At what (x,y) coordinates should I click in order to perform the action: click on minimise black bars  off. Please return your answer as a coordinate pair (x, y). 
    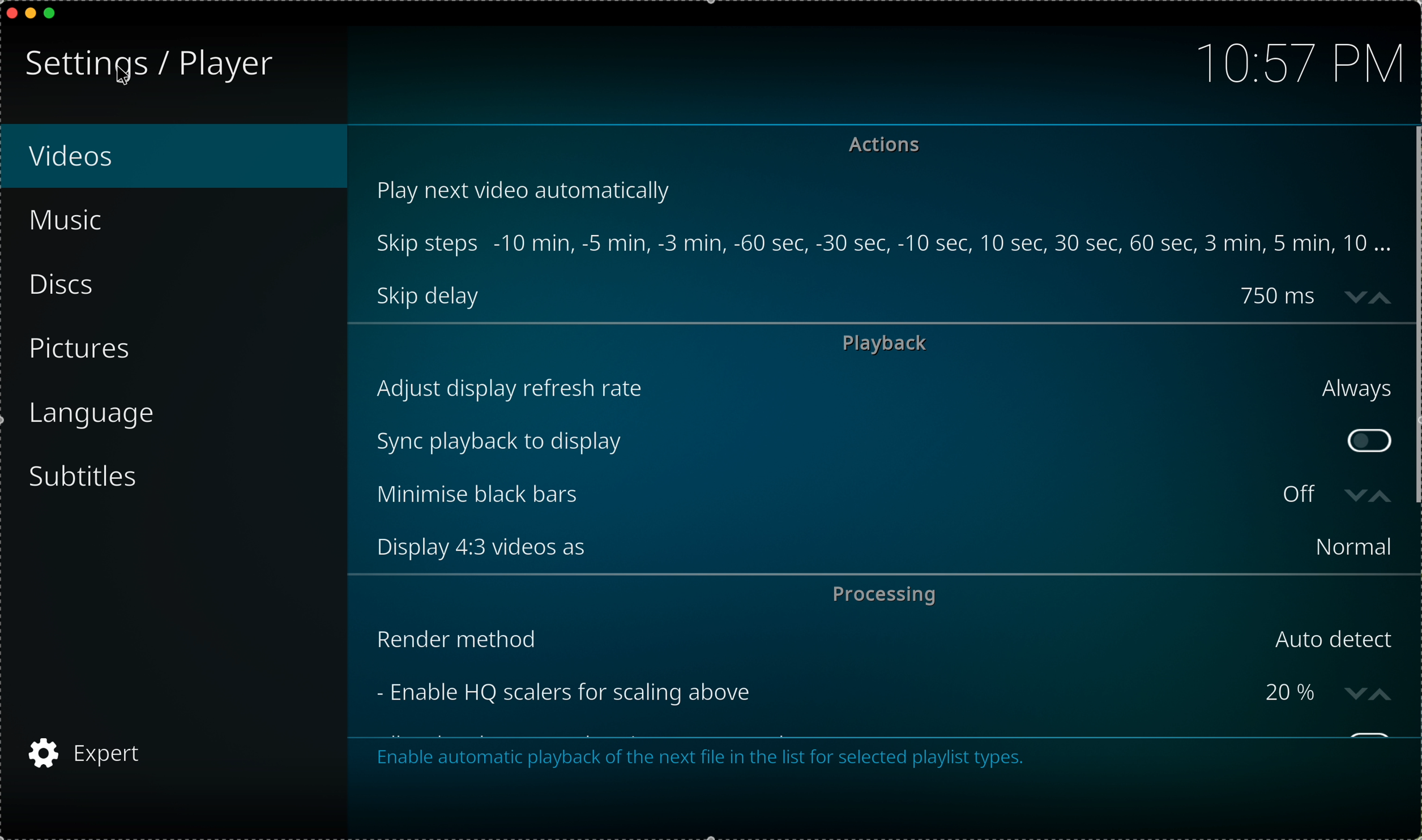
    Looking at the image, I should click on (847, 495).